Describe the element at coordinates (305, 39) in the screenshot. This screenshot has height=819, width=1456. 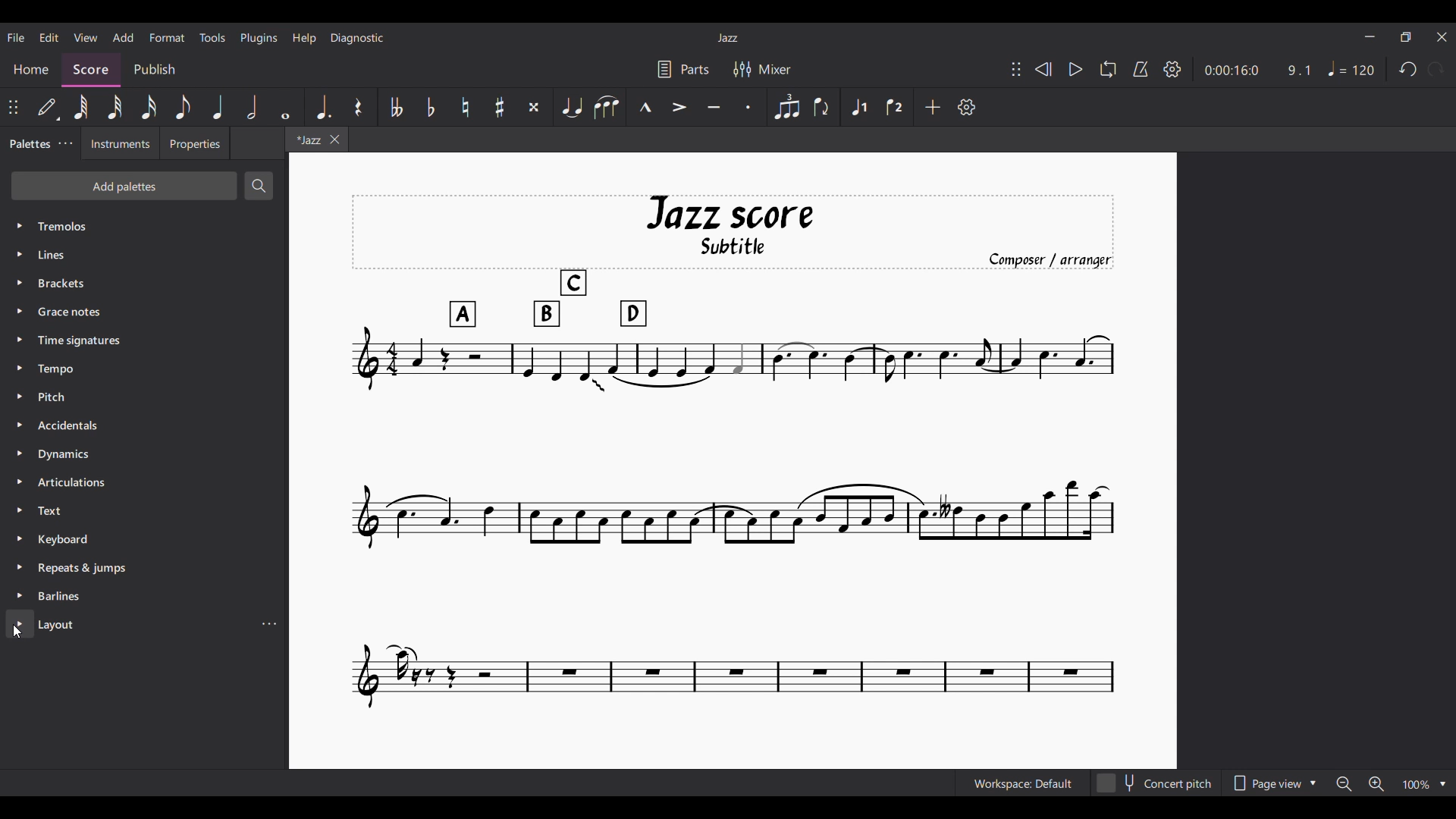
I see `Help menu` at that location.